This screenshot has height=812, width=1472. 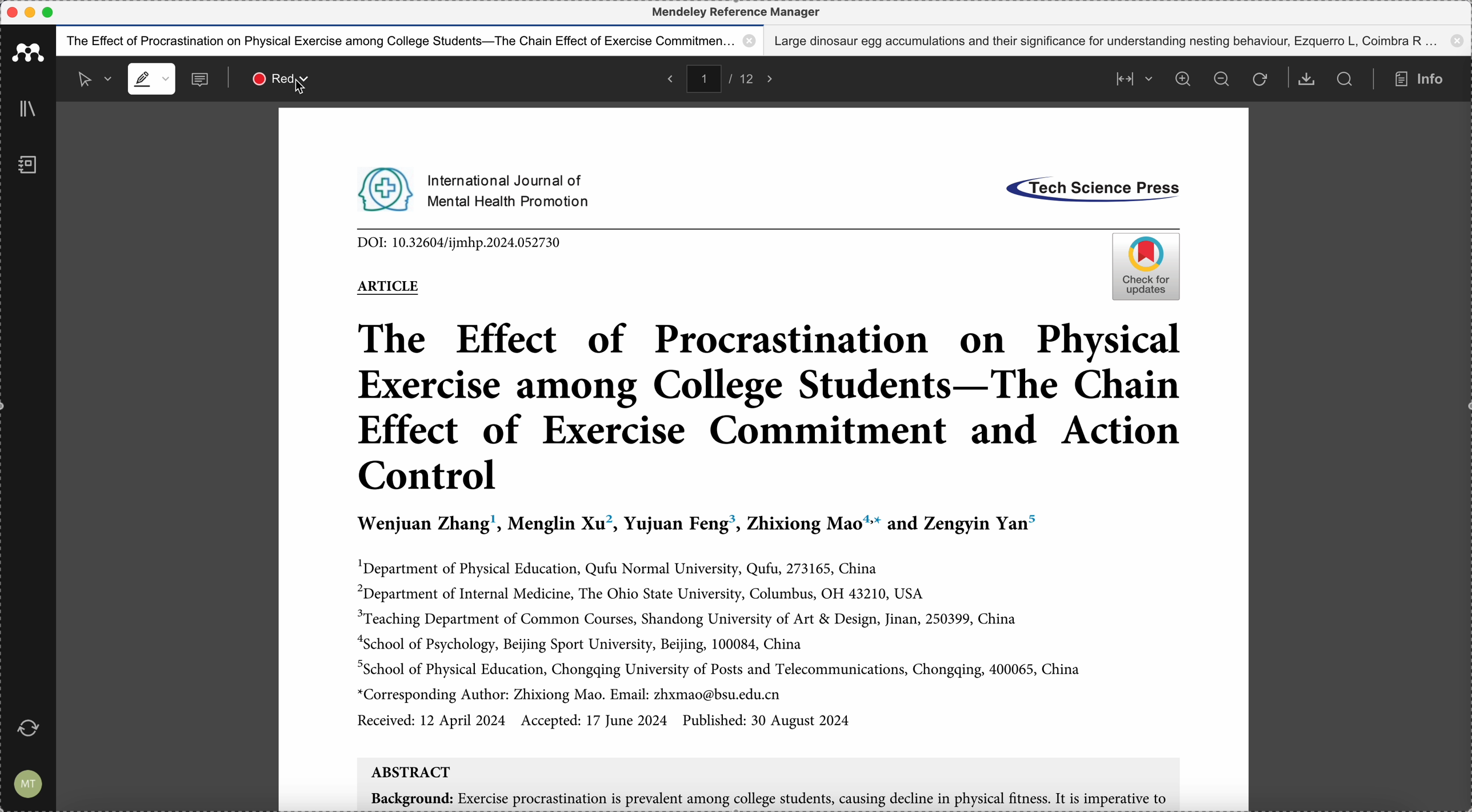 What do you see at coordinates (89, 78) in the screenshot?
I see `selected mode` at bounding box center [89, 78].